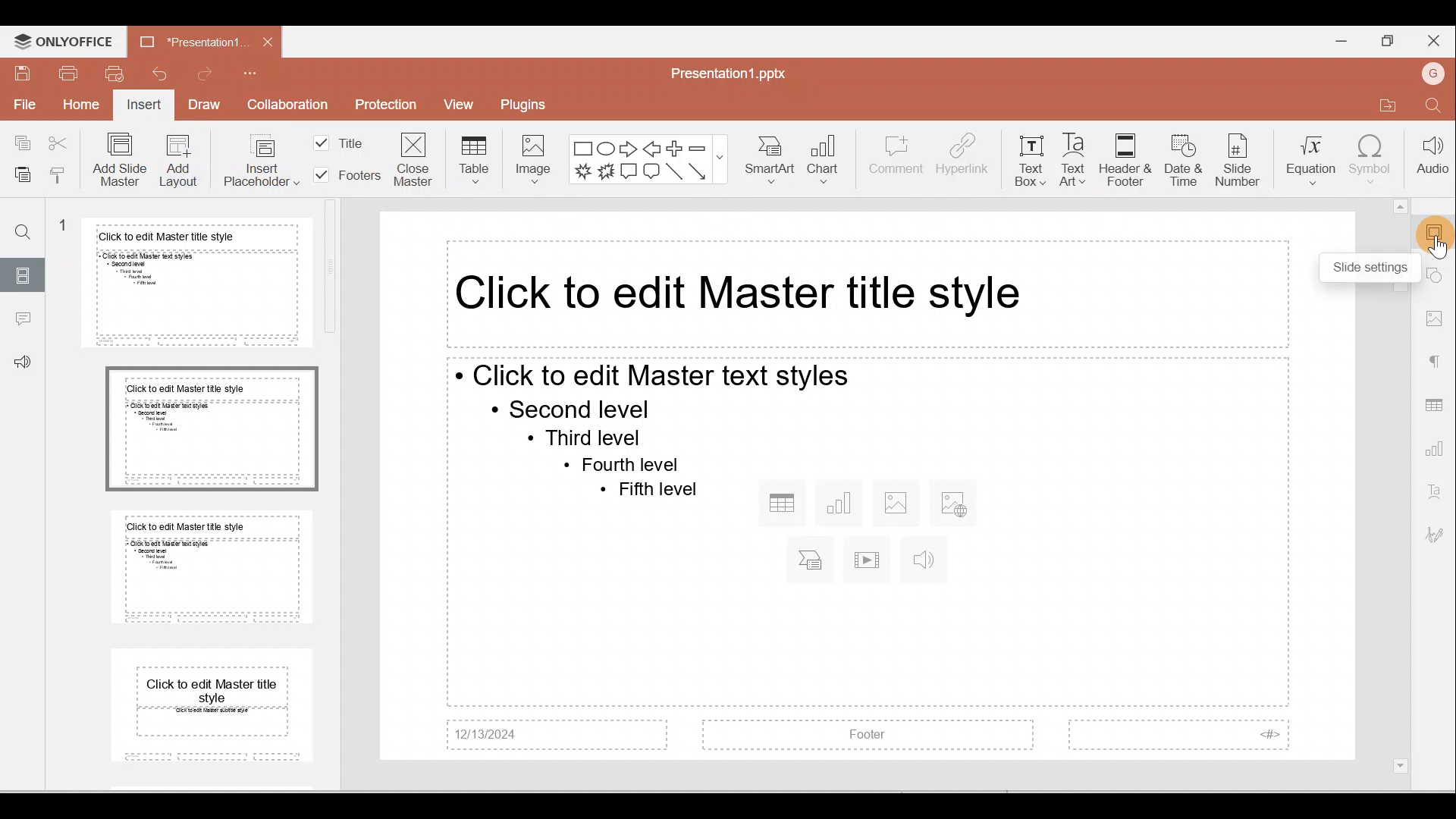 The image size is (1456, 819). Describe the element at coordinates (537, 105) in the screenshot. I see `Plugins` at that location.